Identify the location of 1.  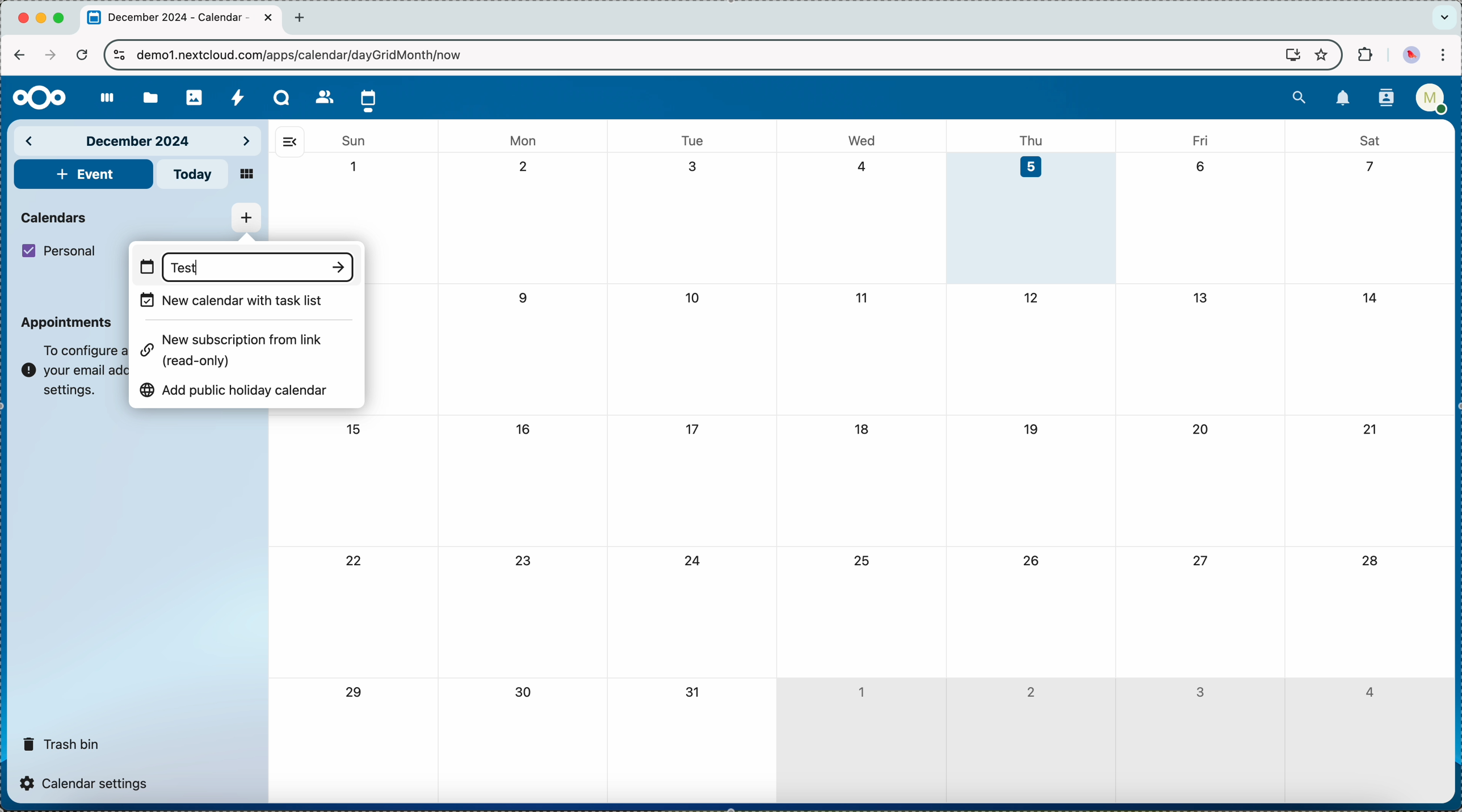
(355, 167).